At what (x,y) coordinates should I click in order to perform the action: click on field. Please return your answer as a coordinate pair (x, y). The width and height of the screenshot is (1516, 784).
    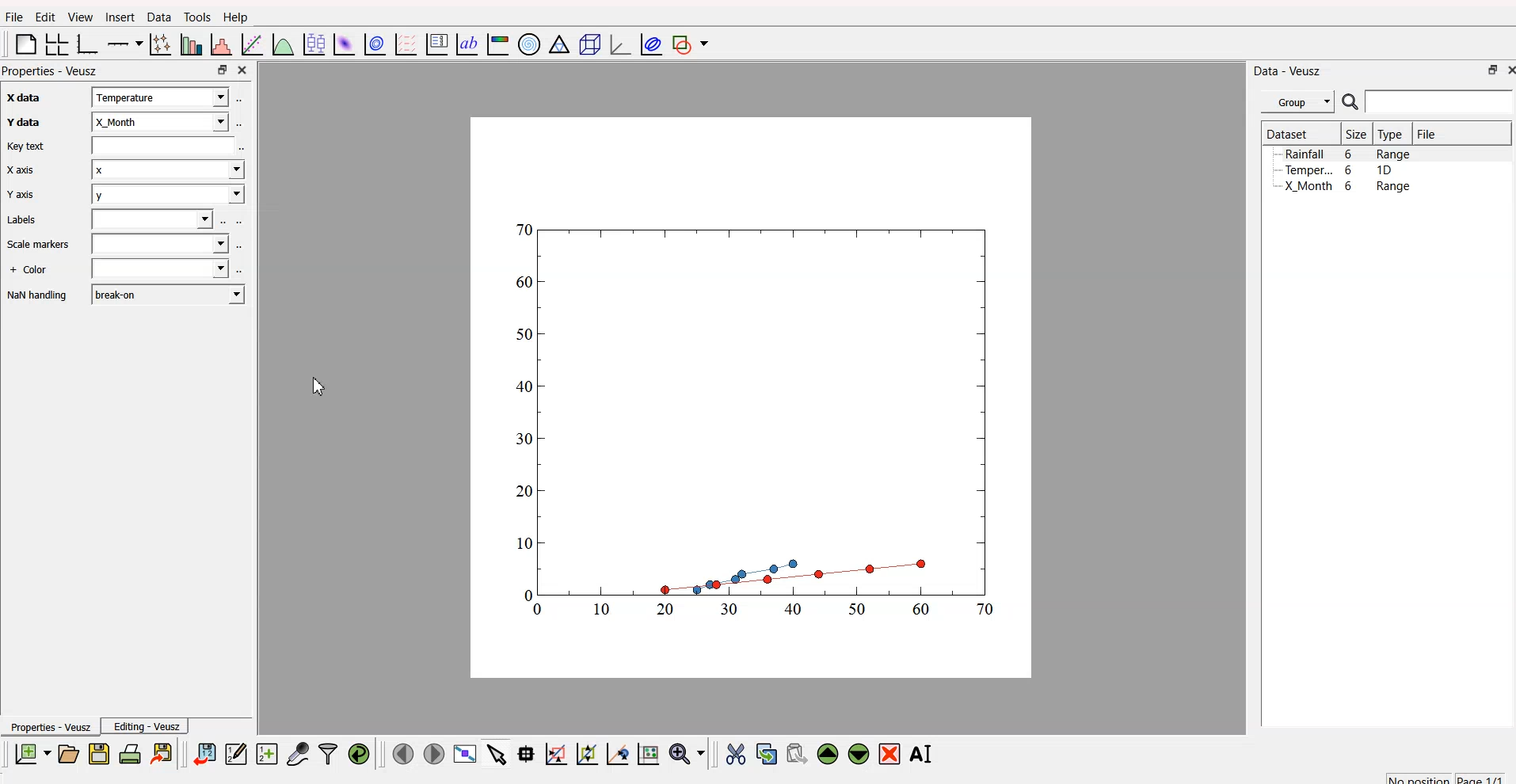
    Looking at the image, I should click on (158, 270).